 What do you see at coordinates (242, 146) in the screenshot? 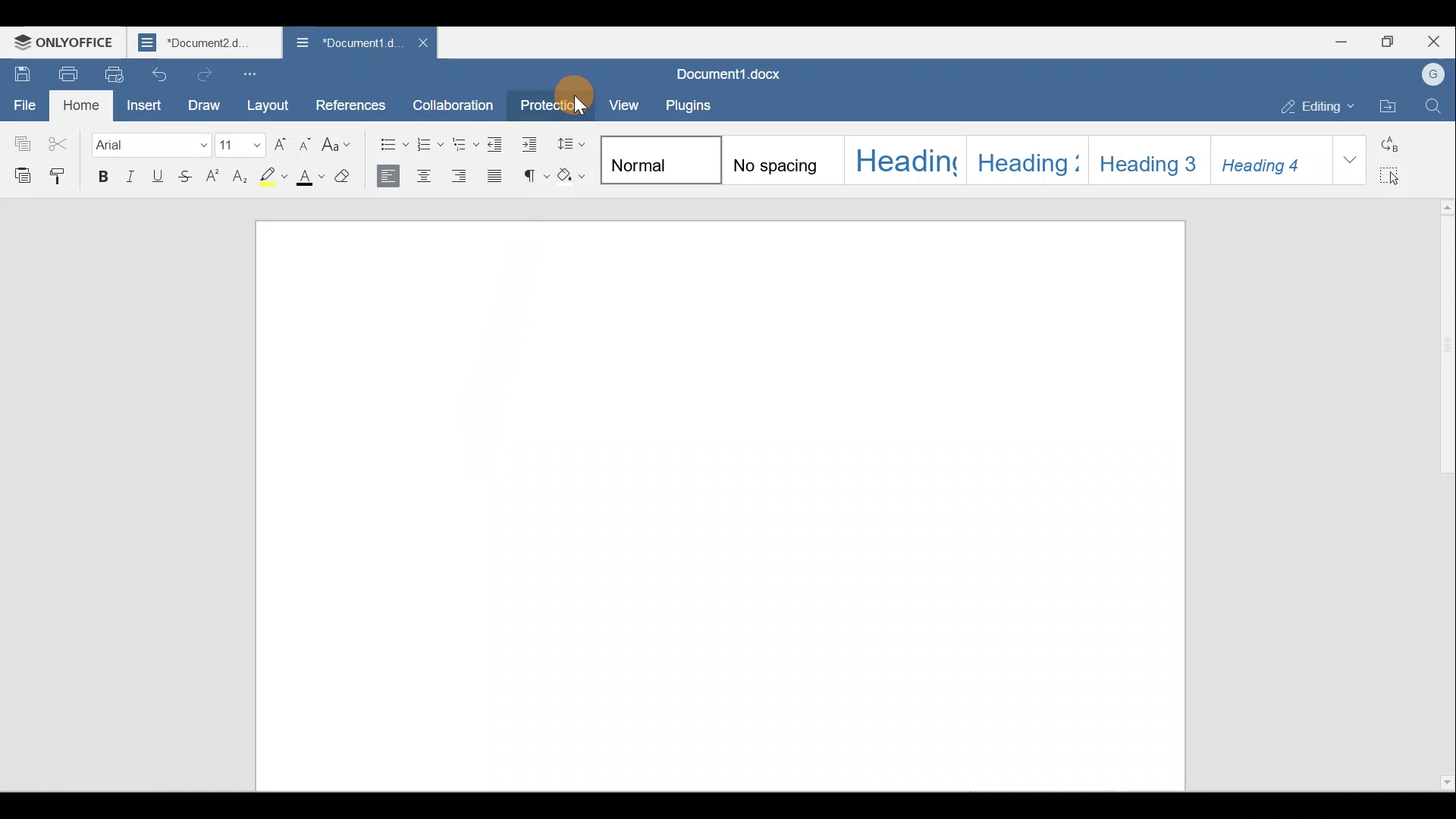
I see `Font size` at bounding box center [242, 146].